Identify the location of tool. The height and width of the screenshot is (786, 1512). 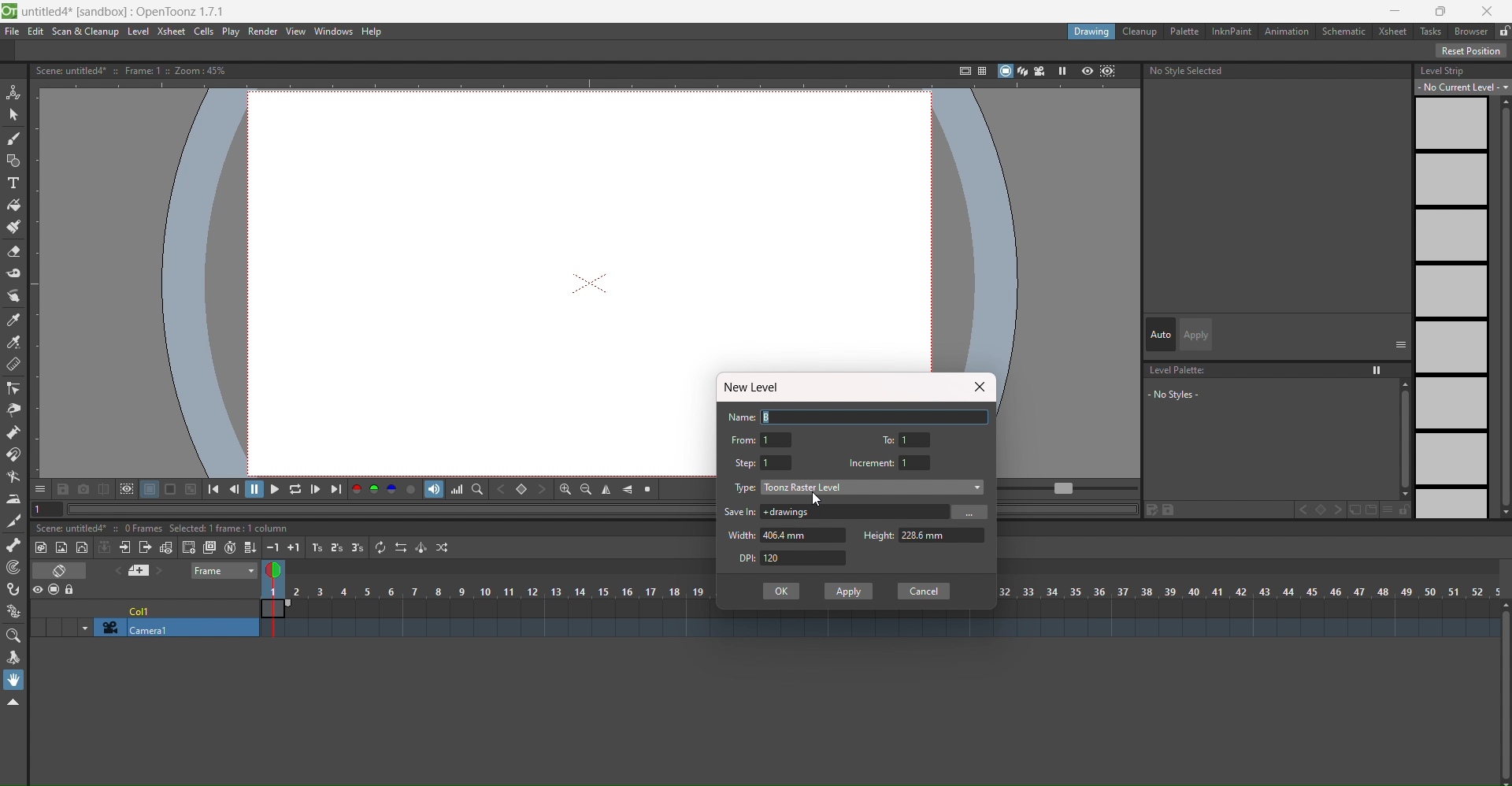
(103, 488).